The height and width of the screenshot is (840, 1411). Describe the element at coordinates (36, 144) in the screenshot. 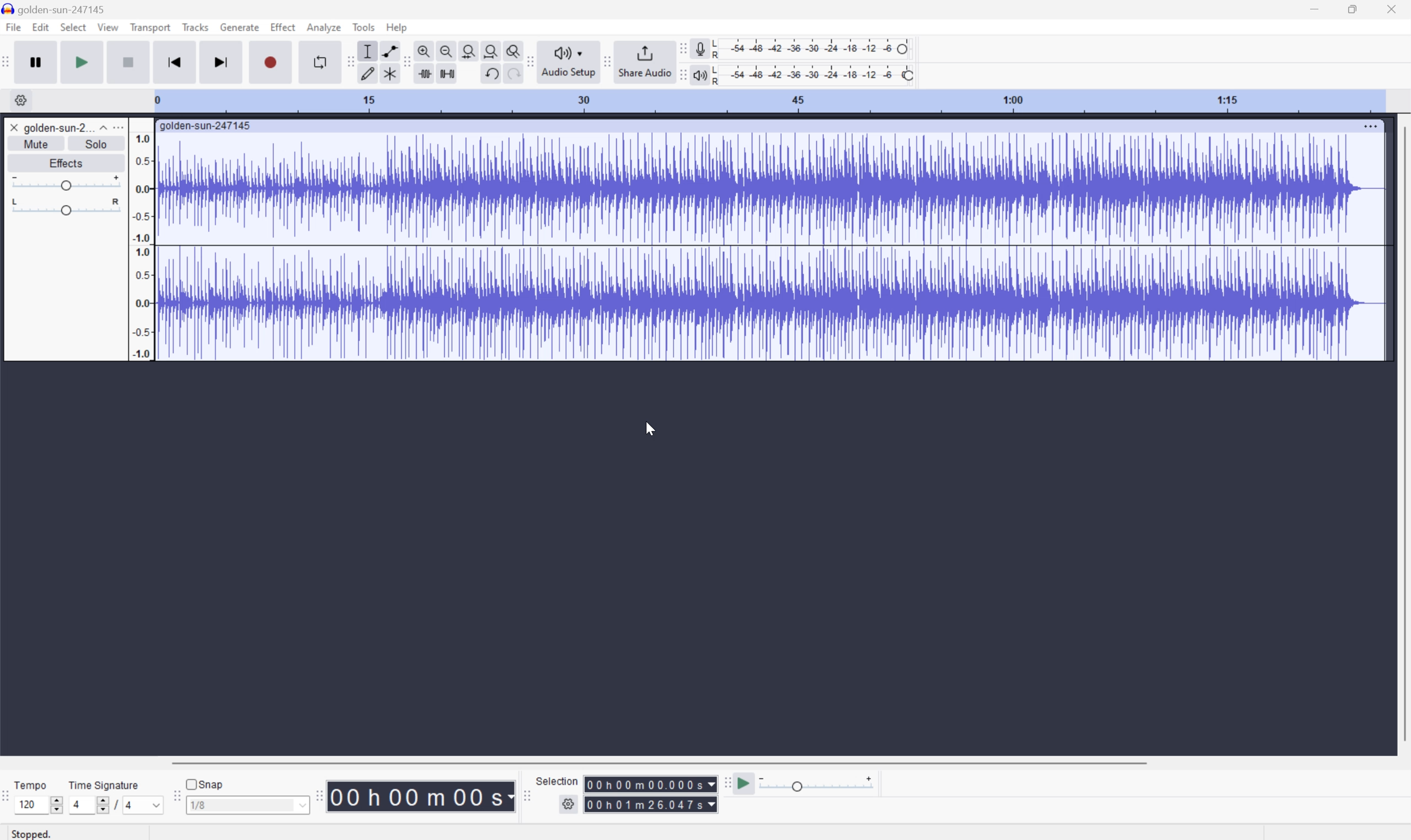

I see `Mute` at that location.